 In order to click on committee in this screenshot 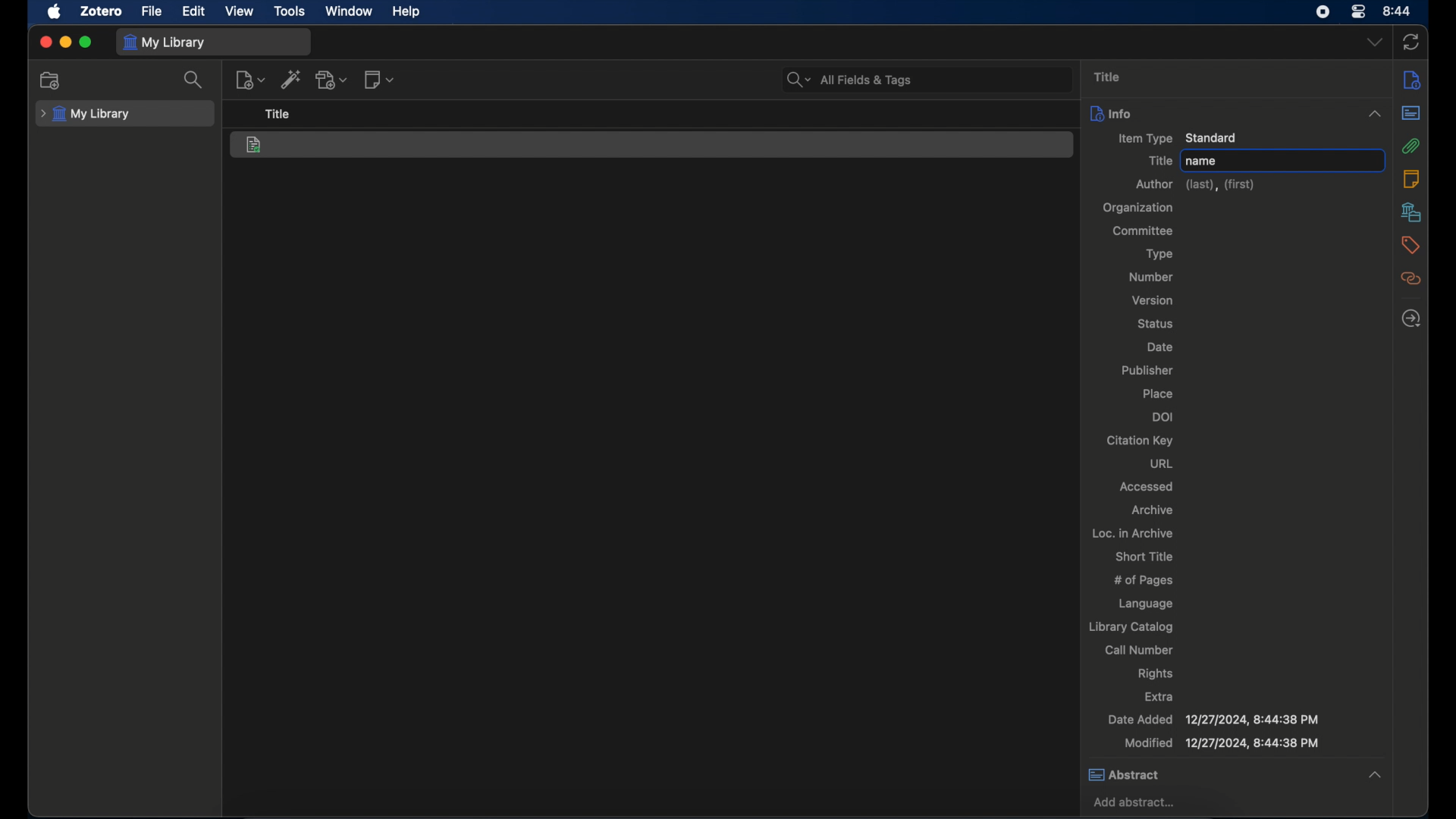, I will do `click(1147, 231)`.